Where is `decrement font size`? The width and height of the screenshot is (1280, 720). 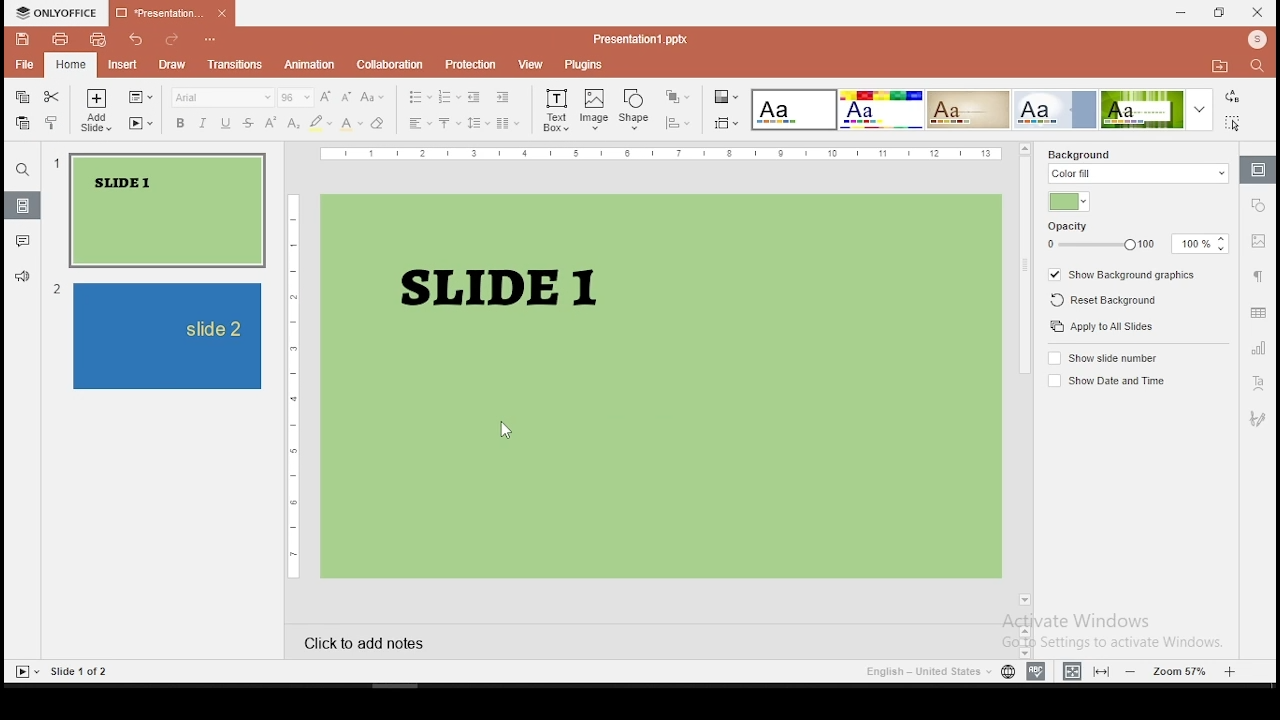 decrement font size is located at coordinates (348, 97).